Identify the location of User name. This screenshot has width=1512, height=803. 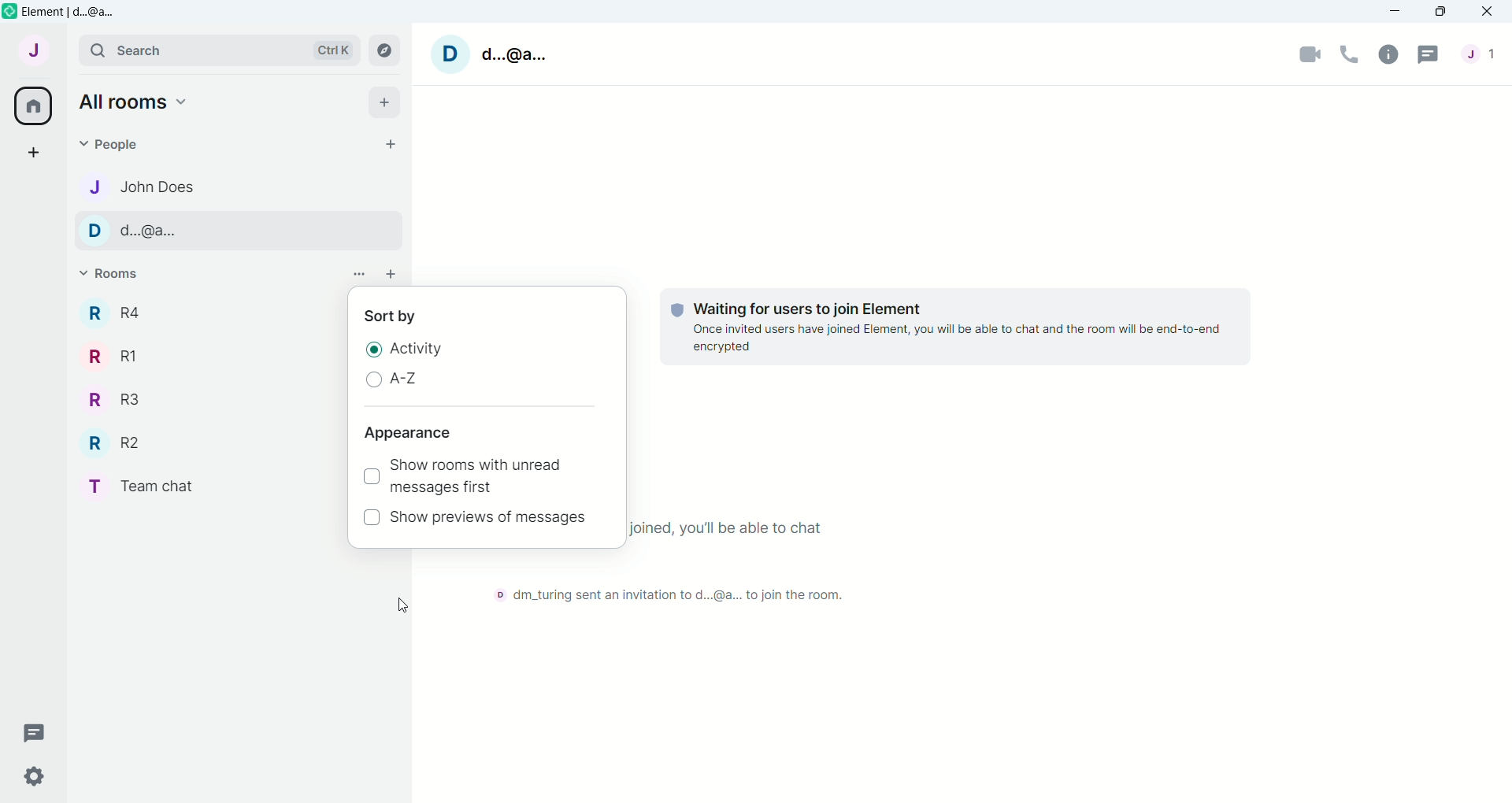
(494, 52).